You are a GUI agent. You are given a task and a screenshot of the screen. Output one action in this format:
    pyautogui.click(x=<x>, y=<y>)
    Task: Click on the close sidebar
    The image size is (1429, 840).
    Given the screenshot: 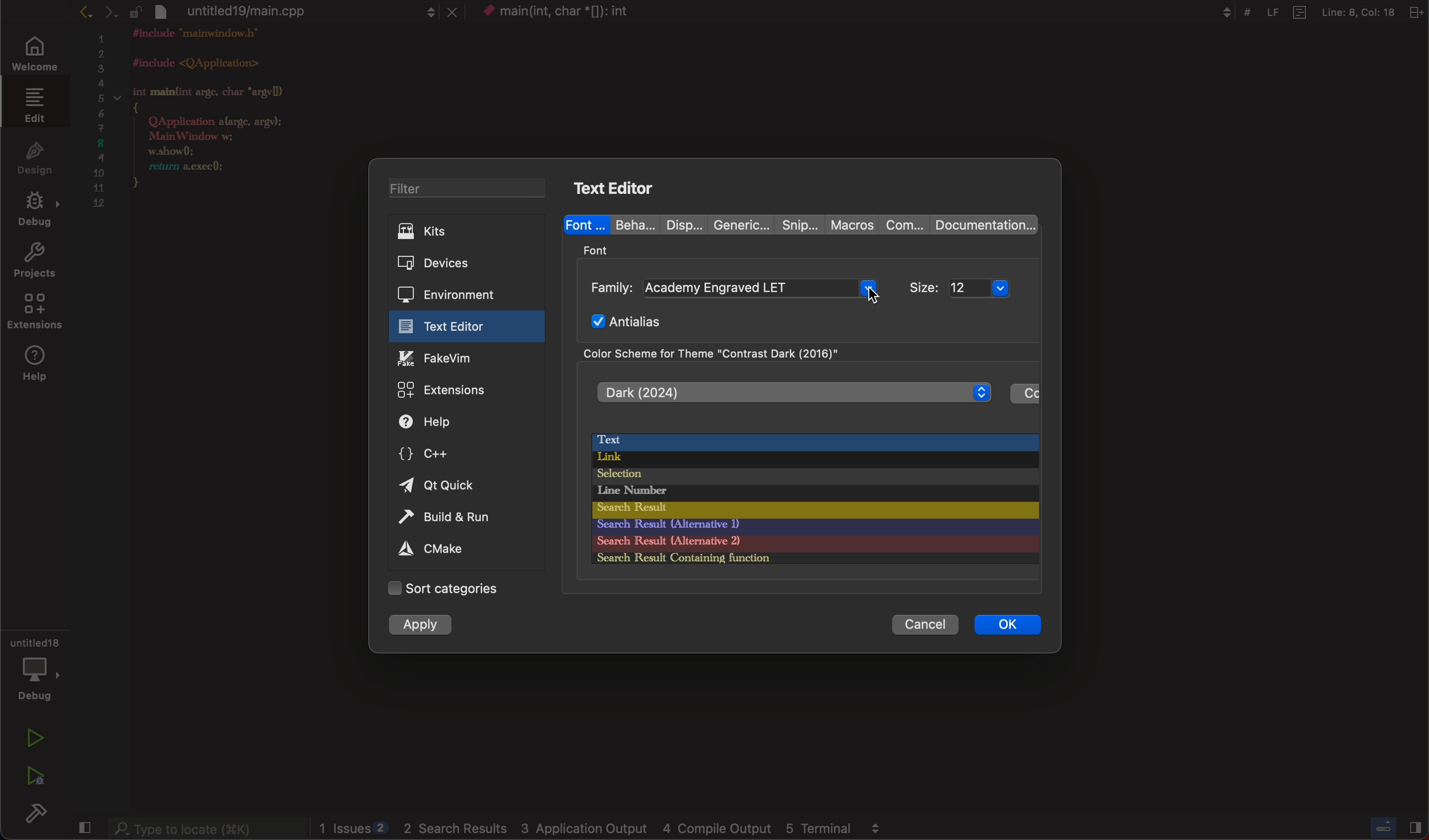 What is the action you would take?
    pyautogui.click(x=85, y=828)
    